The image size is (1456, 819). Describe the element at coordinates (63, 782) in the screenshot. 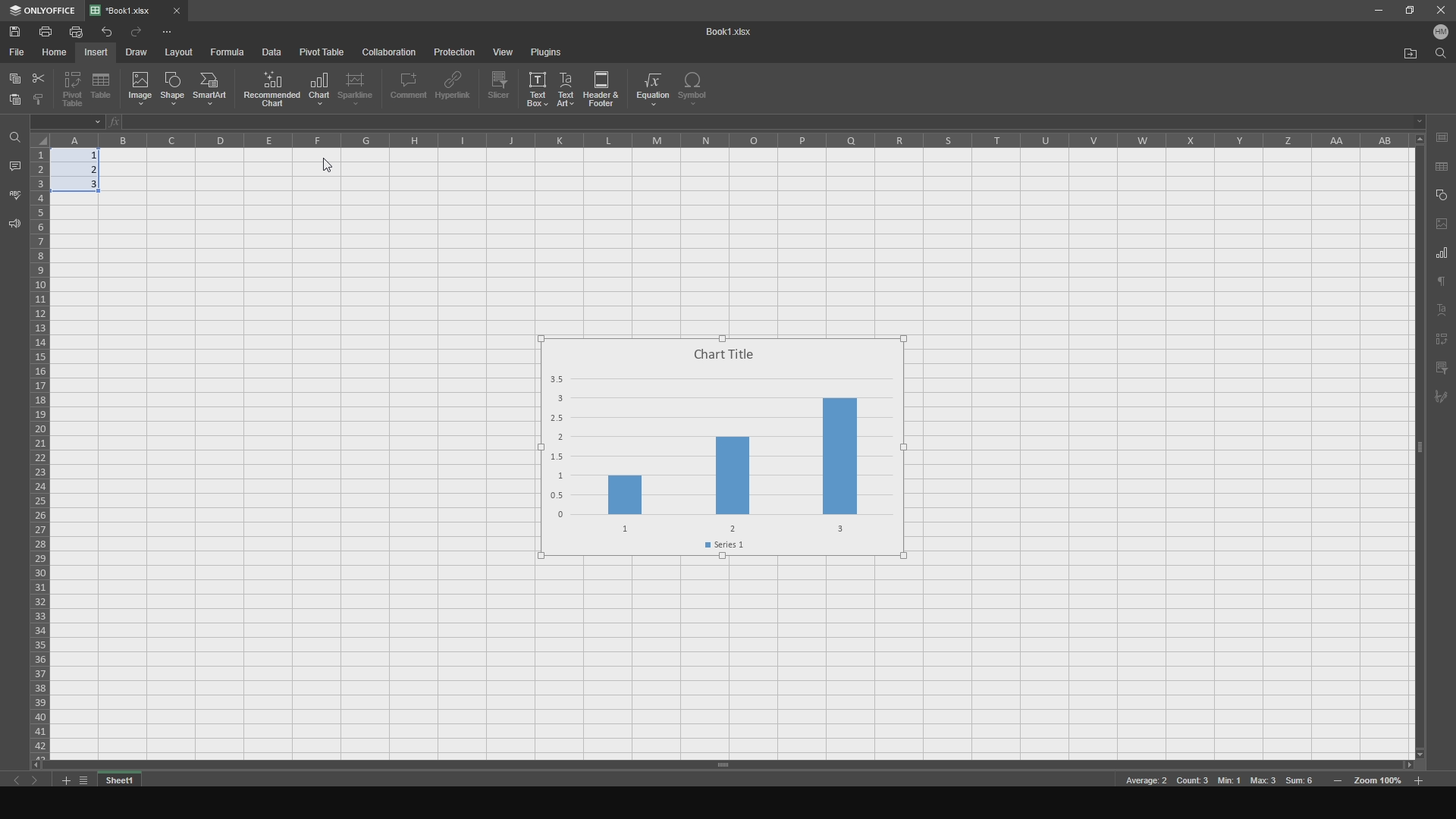

I see `add tab` at that location.